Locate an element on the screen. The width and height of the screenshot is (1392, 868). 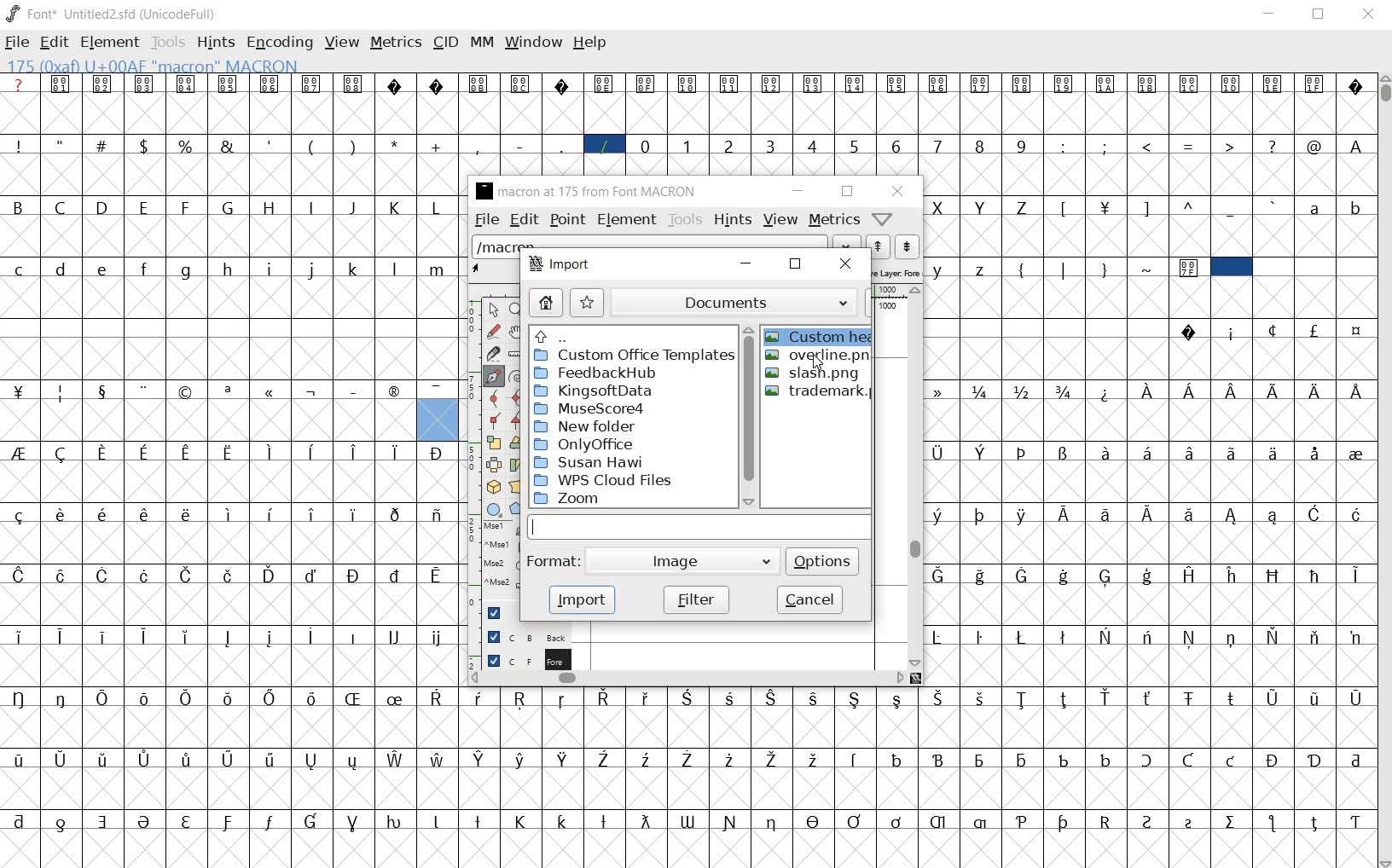
Symbol is located at coordinates (107, 574).